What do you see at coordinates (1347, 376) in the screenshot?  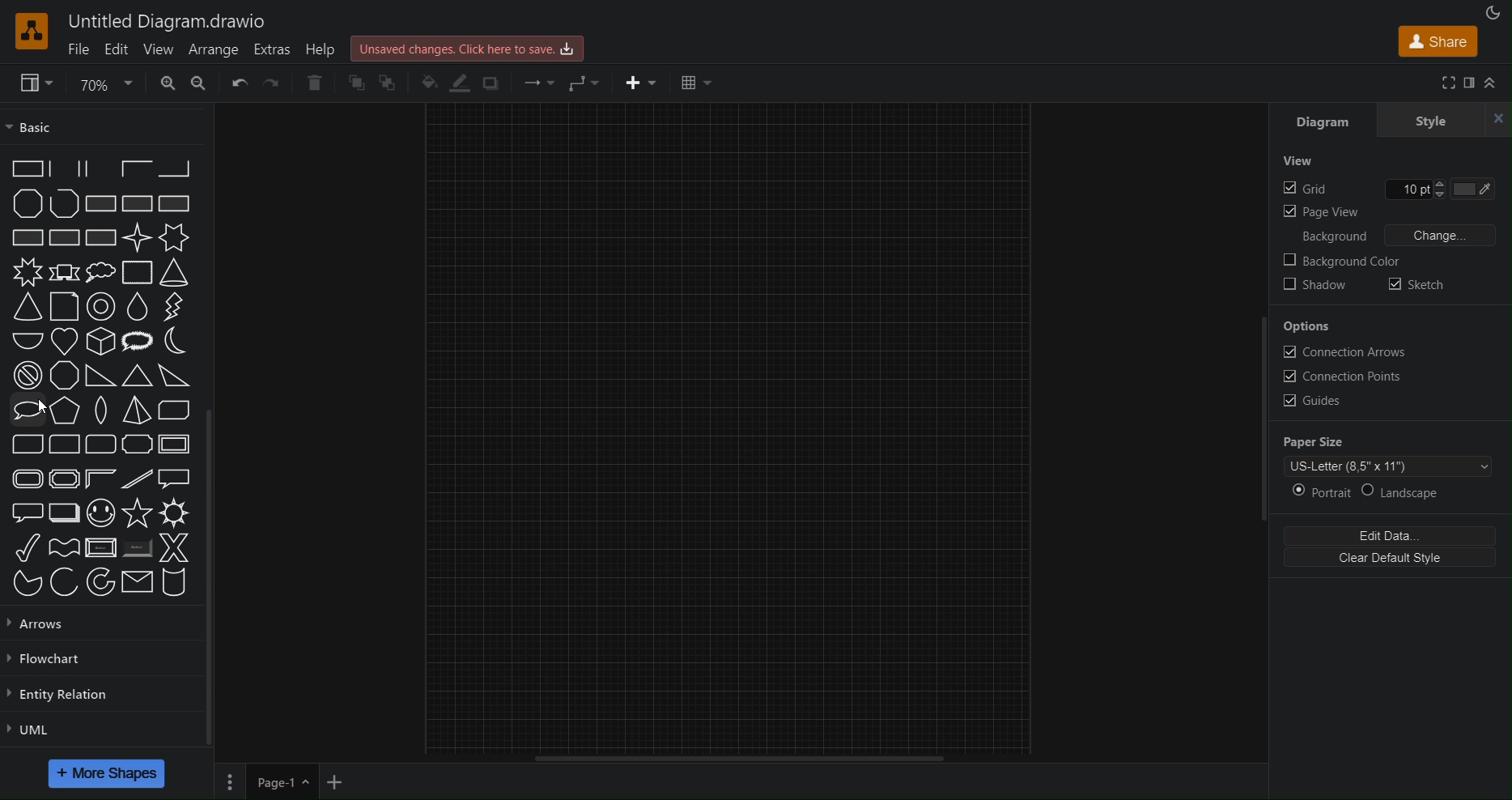 I see `Connection Points` at bounding box center [1347, 376].